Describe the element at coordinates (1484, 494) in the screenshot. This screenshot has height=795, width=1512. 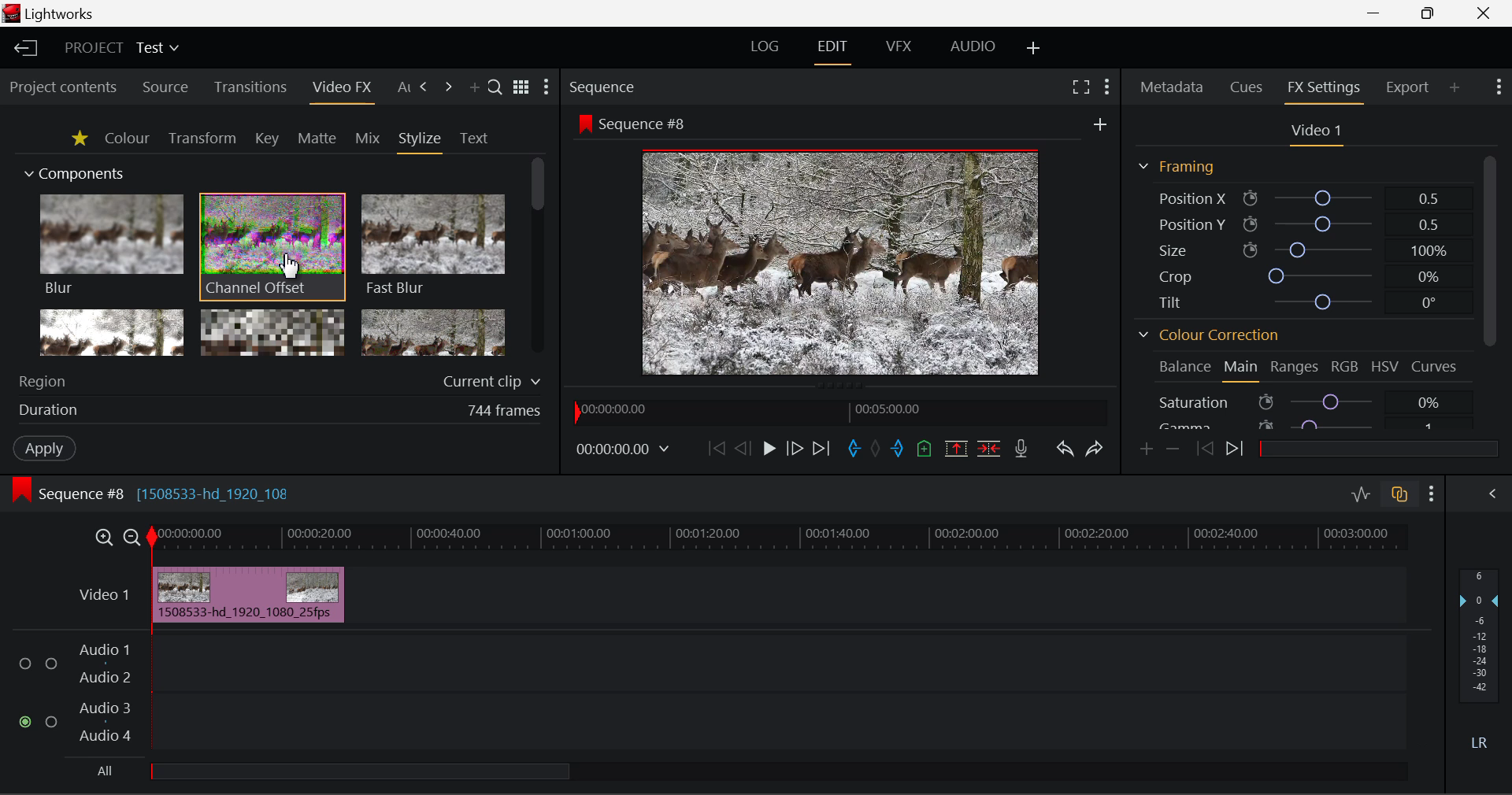
I see `Show Audio Mix` at that location.